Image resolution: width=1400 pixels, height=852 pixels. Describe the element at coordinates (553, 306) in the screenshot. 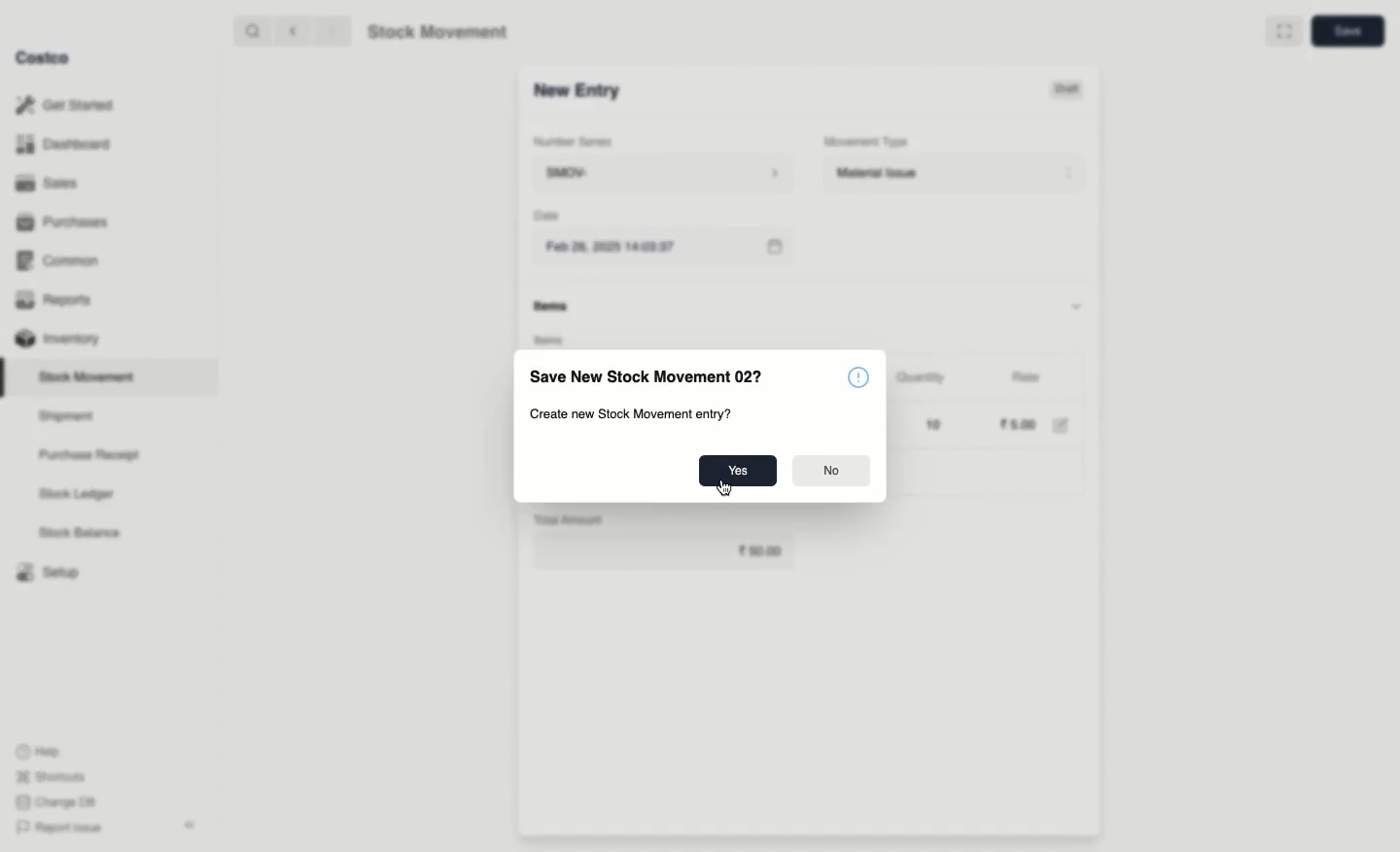

I see `items` at that location.